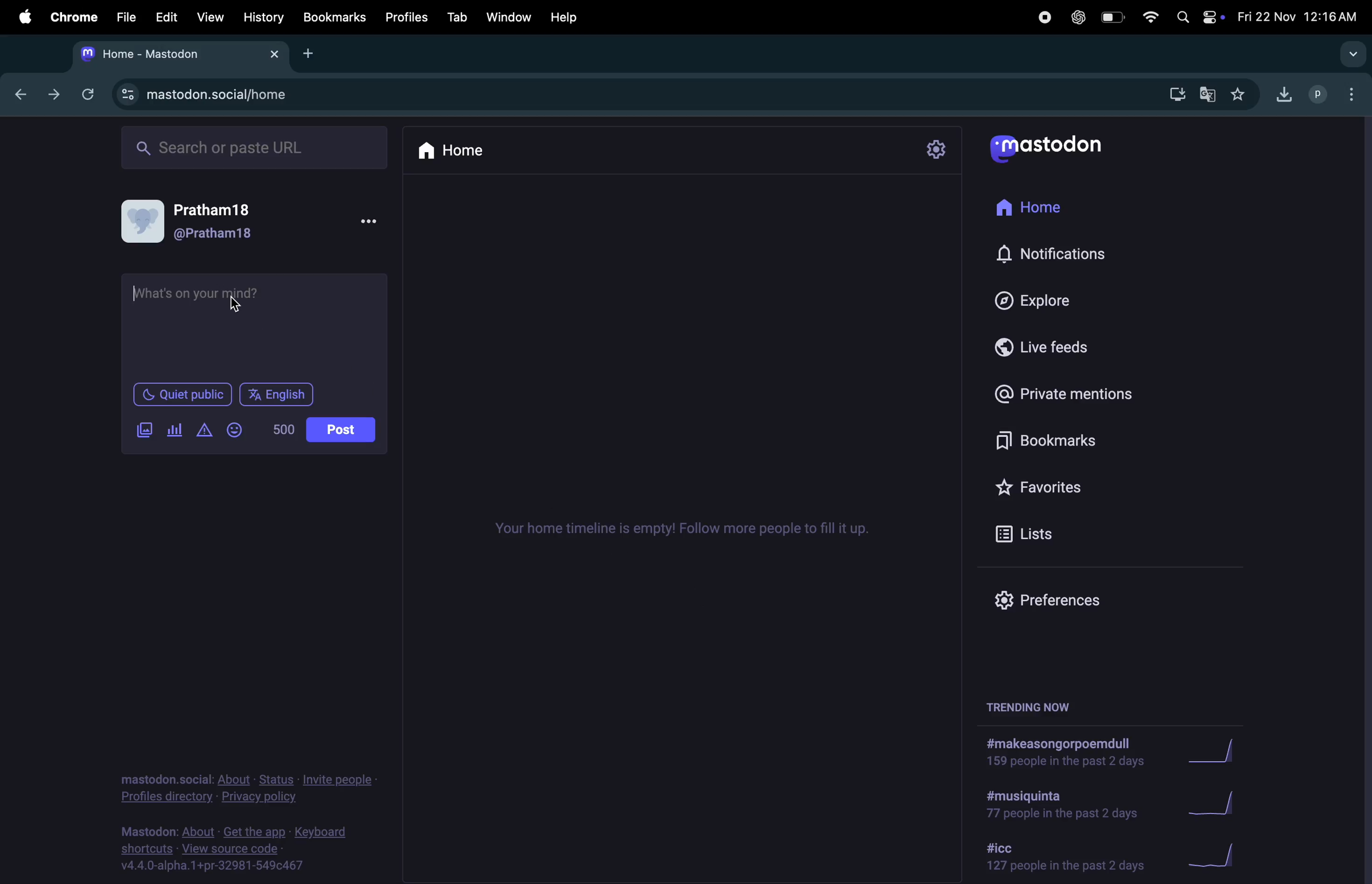 The height and width of the screenshot is (884, 1372). What do you see at coordinates (17, 94) in the screenshot?
I see `backtab` at bounding box center [17, 94].